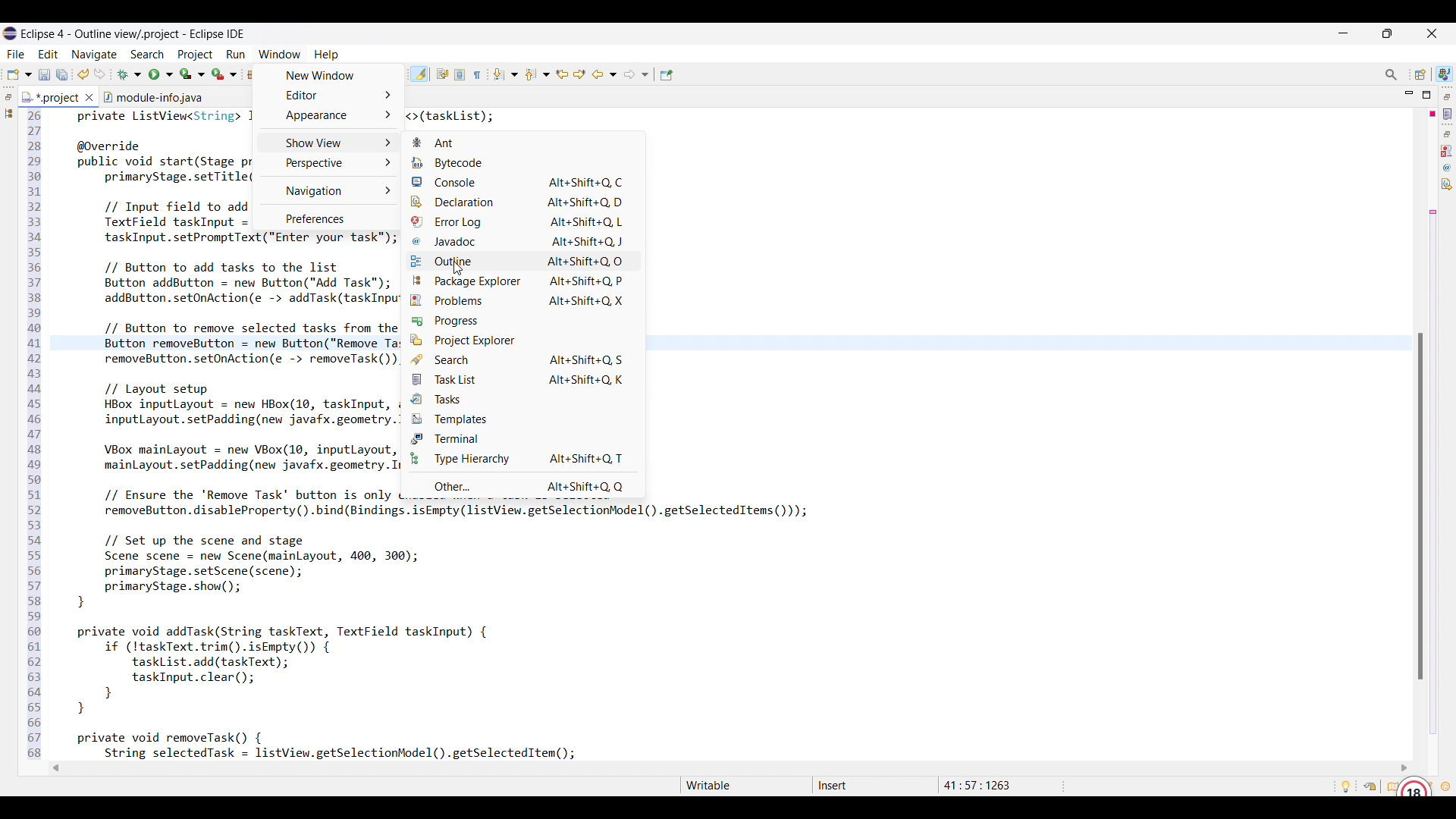 The height and width of the screenshot is (819, 1456). What do you see at coordinates (100, 74) in the screenshot?
I see `Redo` at bounding box center [100, 74].